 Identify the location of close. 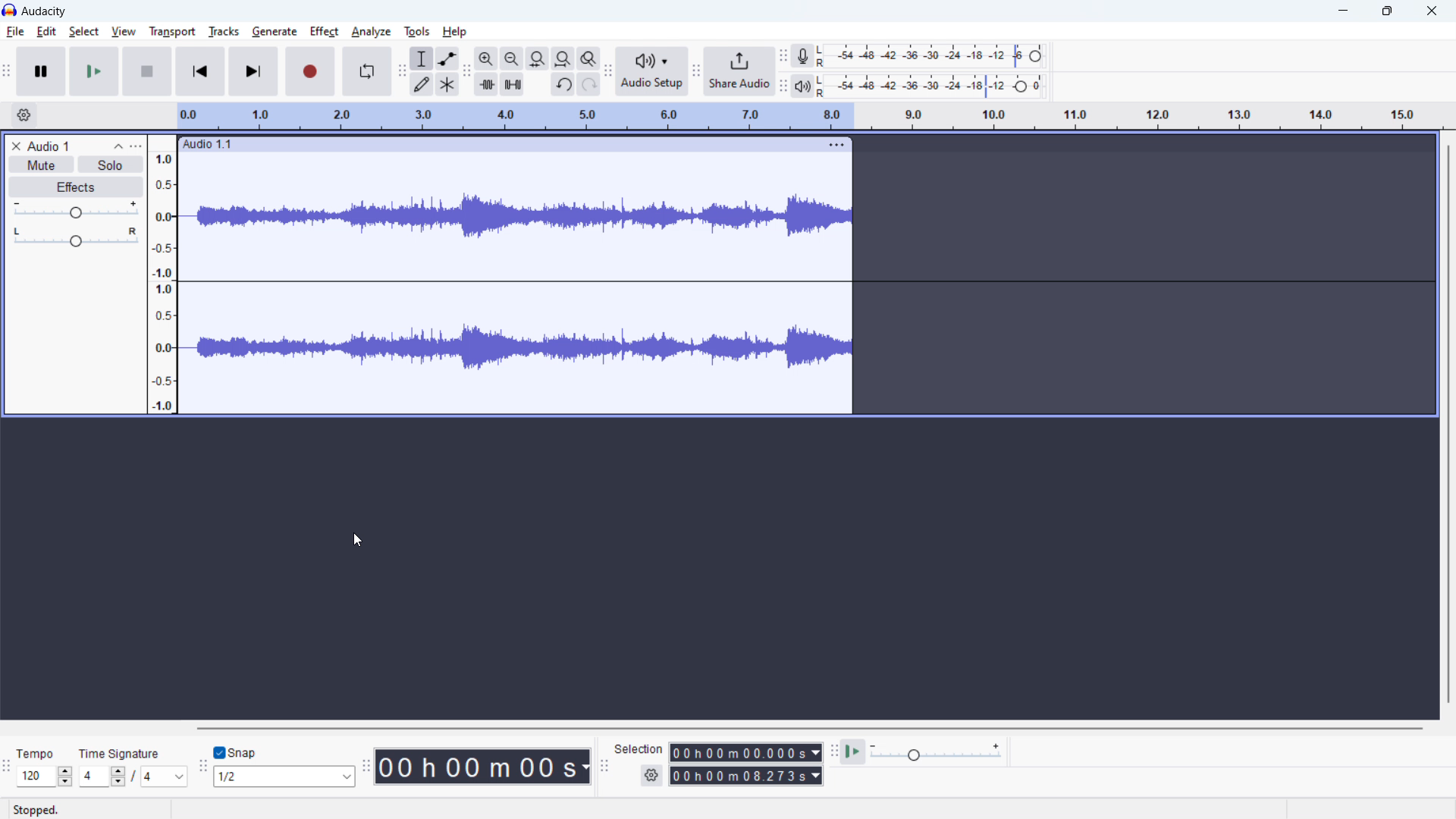
(1433, 11).